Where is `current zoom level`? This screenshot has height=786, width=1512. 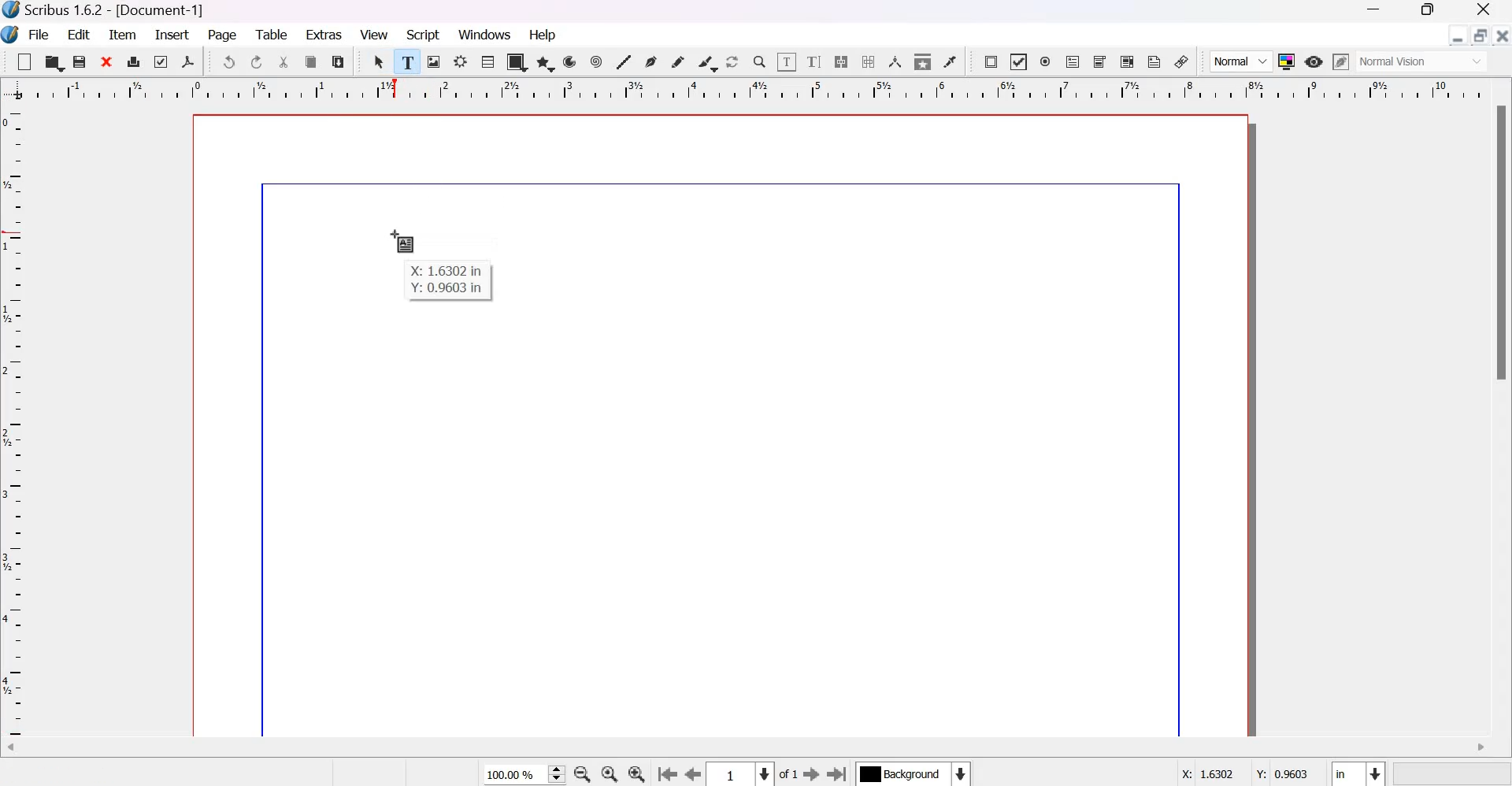
current zoom level is located at coordinates (524, 775).